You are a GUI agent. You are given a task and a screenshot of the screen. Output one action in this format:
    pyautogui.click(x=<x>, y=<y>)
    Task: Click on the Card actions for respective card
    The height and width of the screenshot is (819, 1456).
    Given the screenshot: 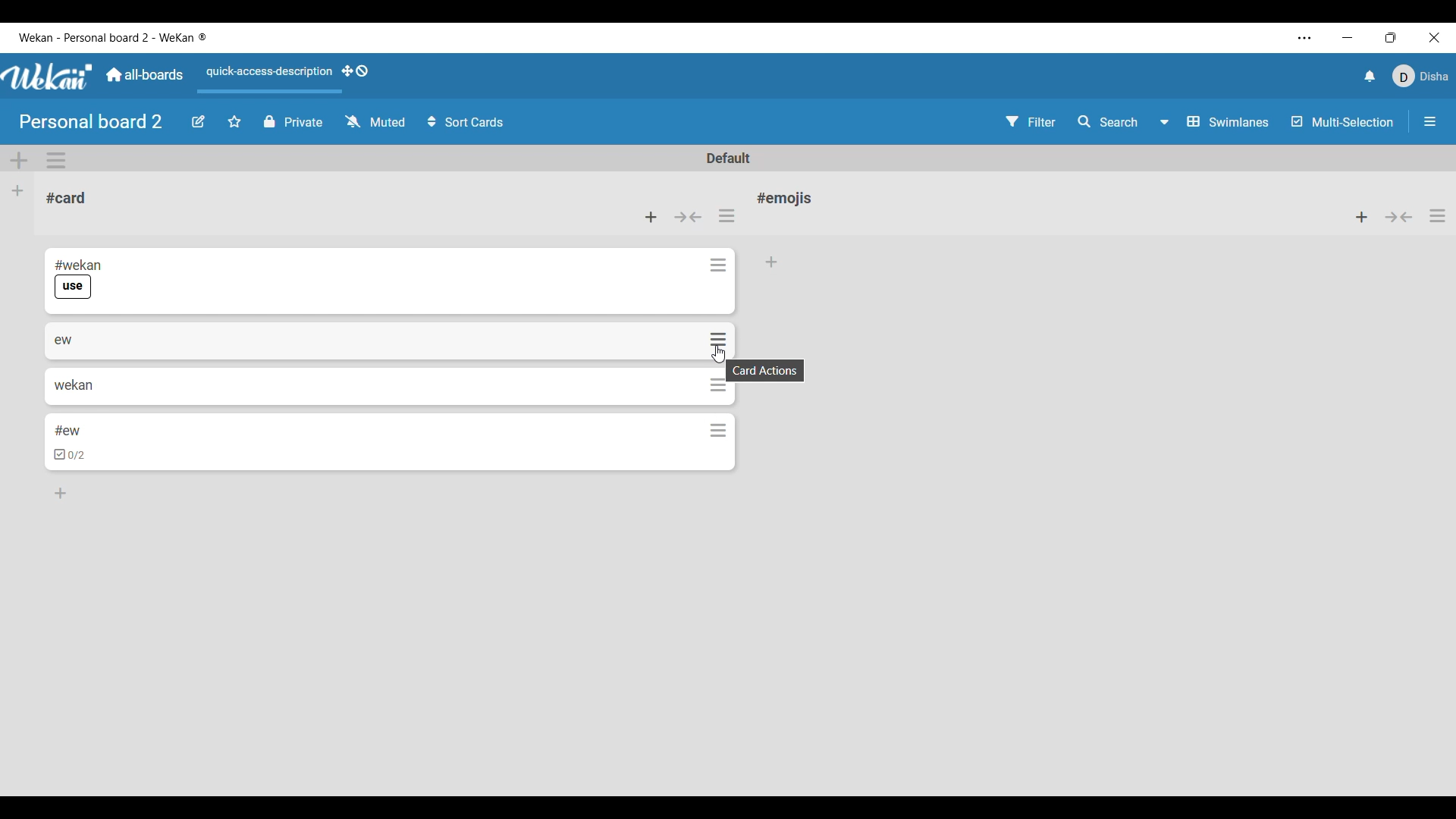 What is the action you would take?
    pyautogui.click(x=718, y=387)
    